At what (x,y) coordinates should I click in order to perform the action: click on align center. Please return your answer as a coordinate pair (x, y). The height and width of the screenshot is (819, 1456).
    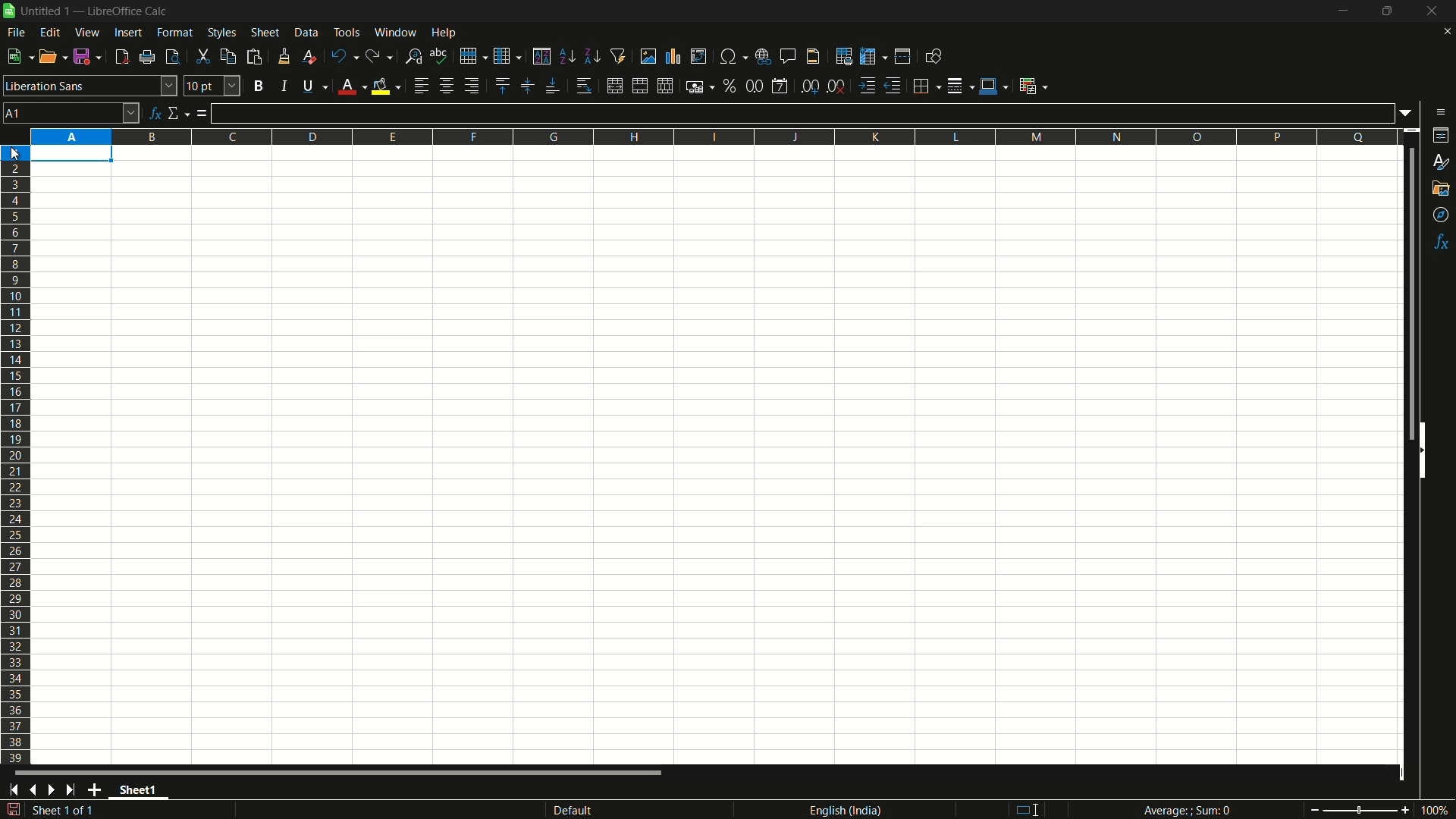
    Looking at the image, I should click on (446, 86).